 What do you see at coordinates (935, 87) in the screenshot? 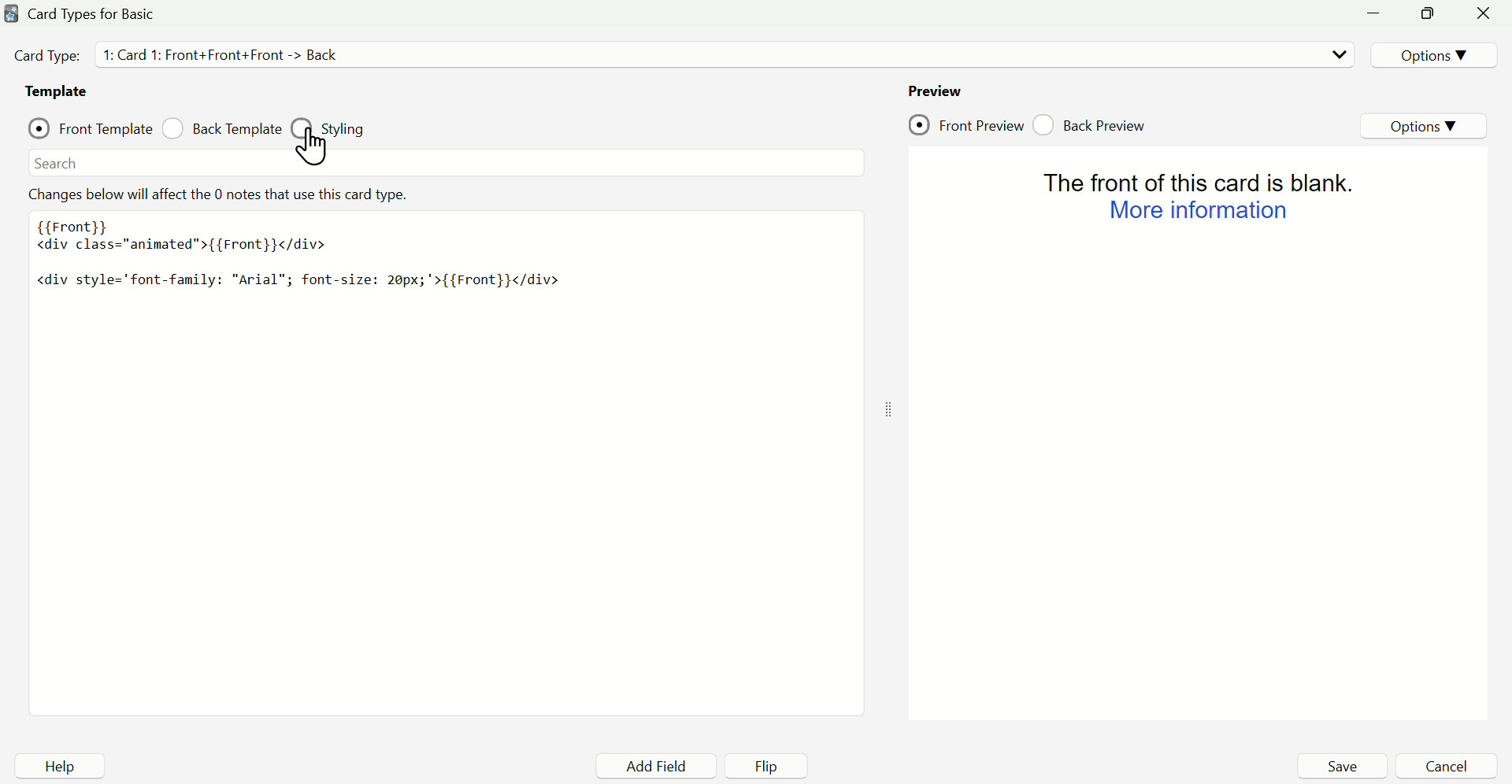
I see `Preview` at bounding box center [935, 87].